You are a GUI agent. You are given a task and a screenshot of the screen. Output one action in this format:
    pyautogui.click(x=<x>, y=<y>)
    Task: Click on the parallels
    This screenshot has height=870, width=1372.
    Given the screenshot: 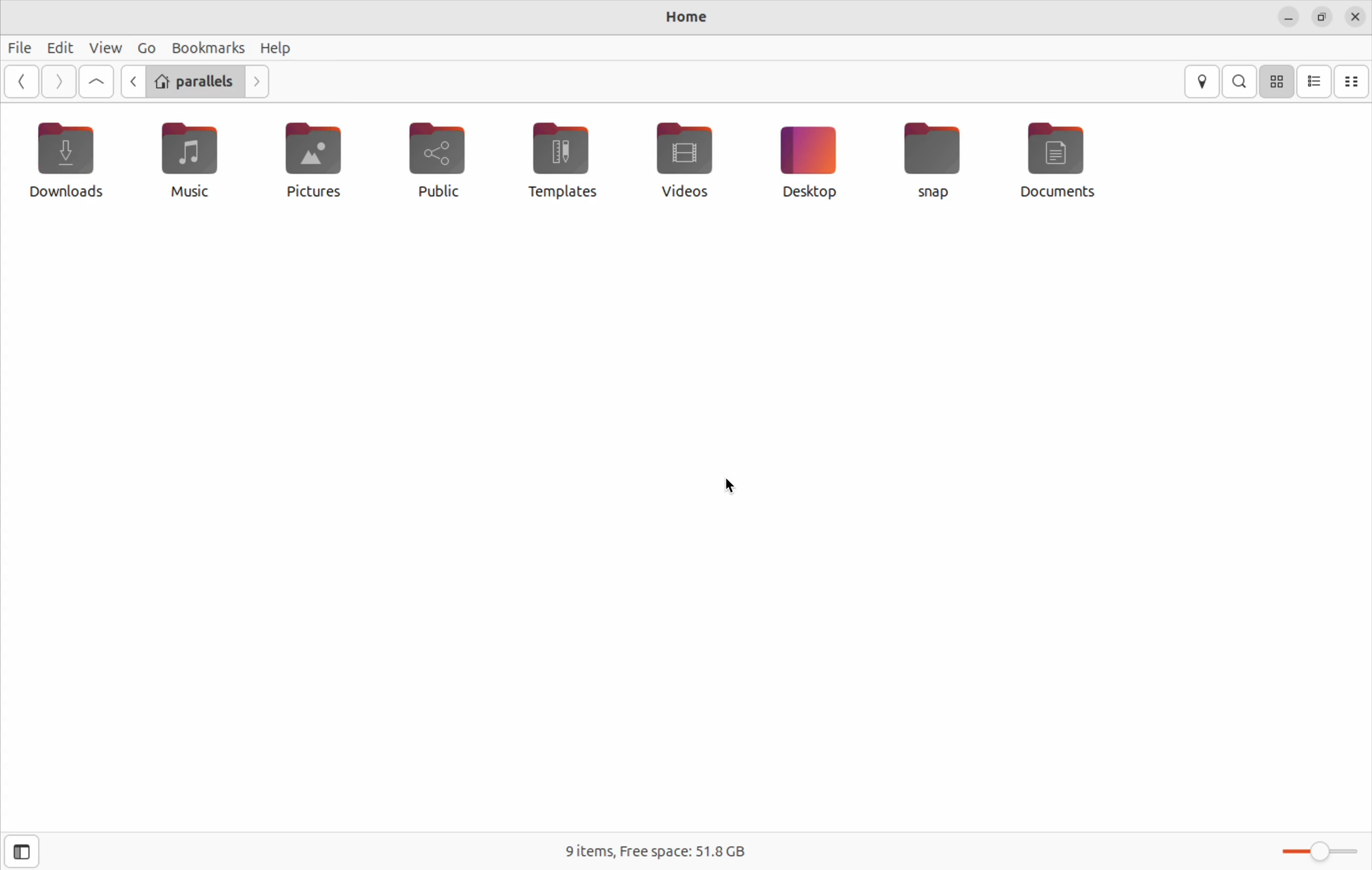 What is the action you would take?
    pyautogui.click(x=196, y=82)
    